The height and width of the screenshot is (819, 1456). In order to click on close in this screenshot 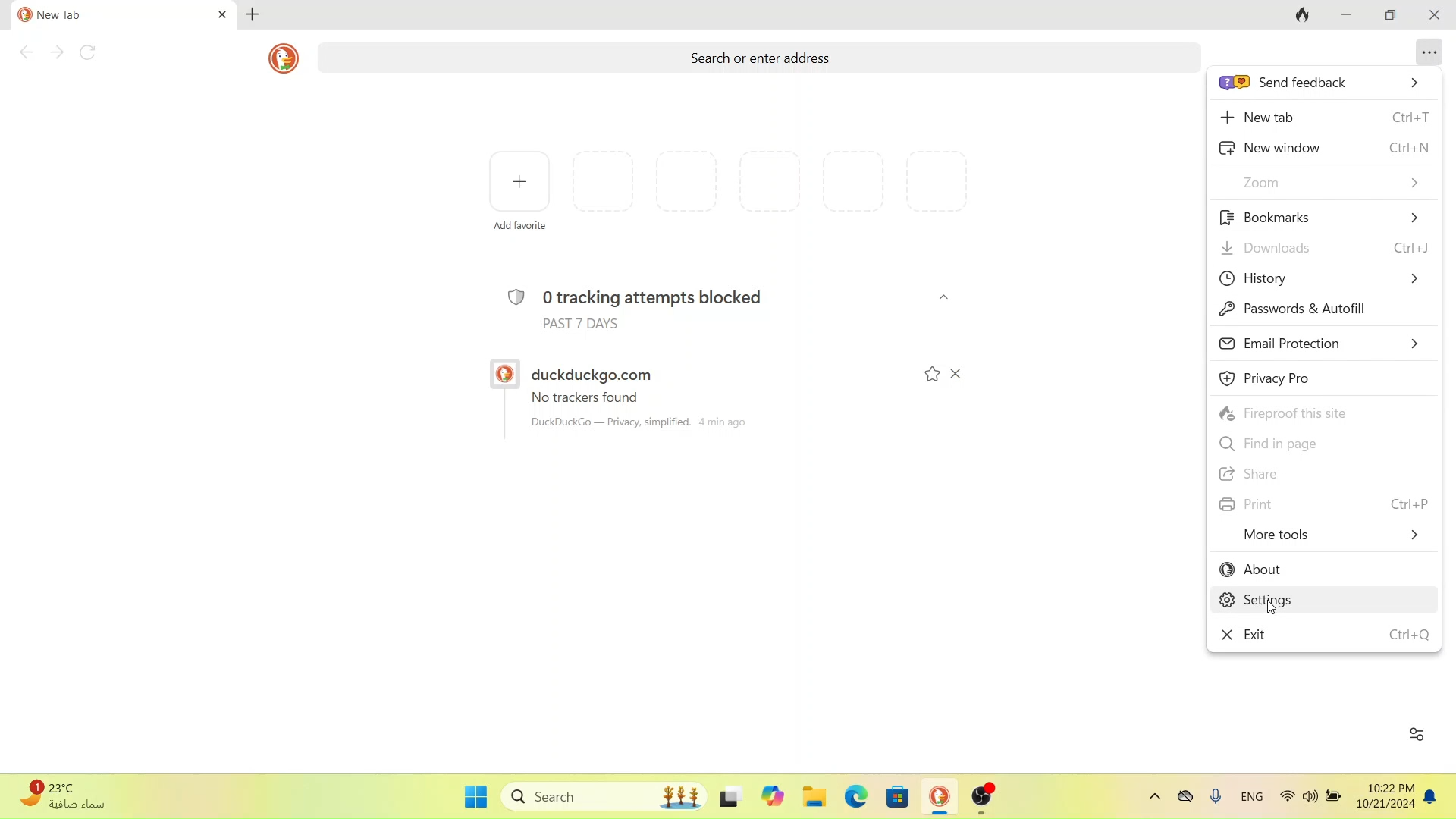, I will do `click(959, 373)`.